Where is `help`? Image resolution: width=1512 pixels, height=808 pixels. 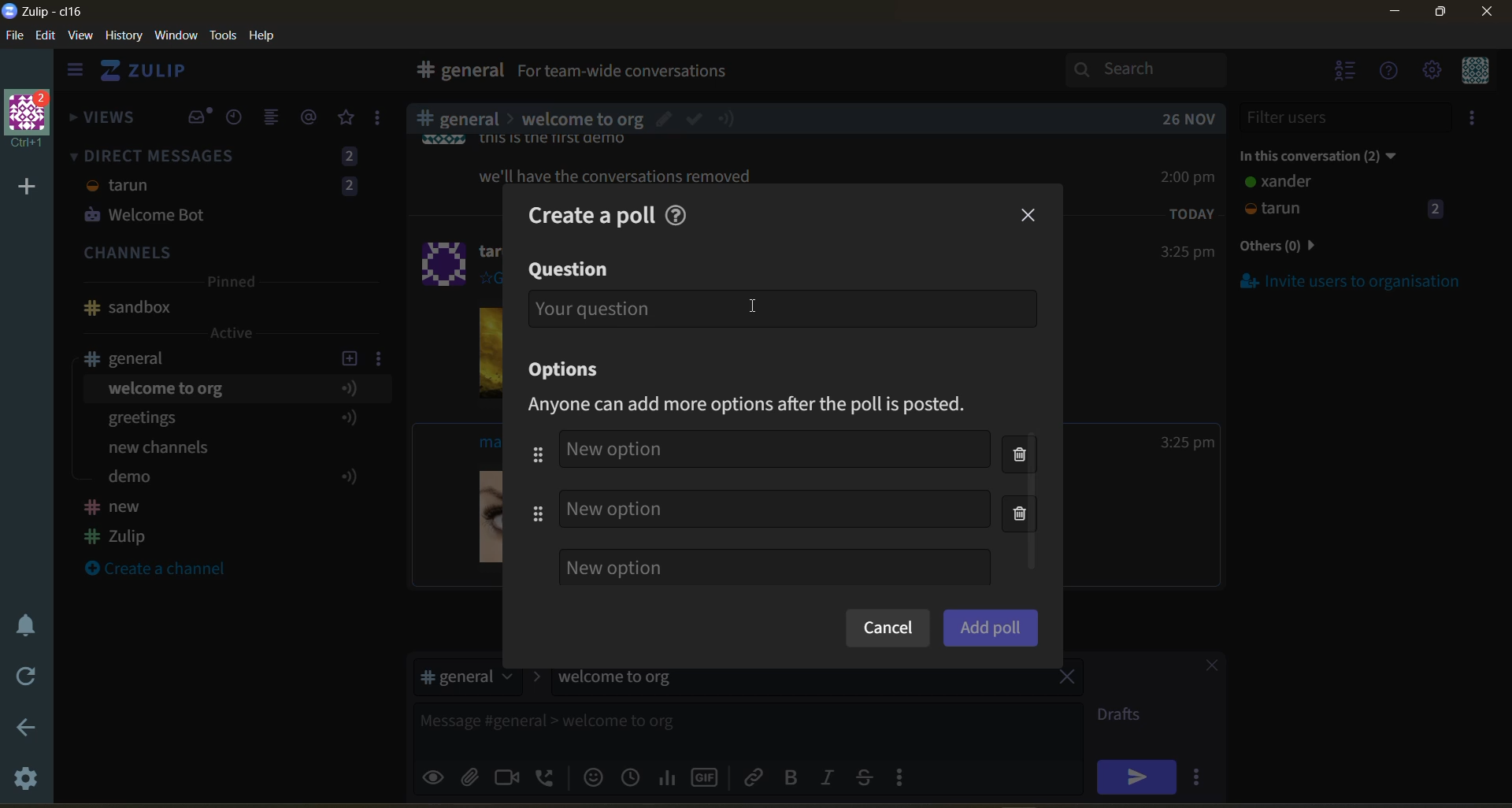 help is located at coordinates (268, 36).